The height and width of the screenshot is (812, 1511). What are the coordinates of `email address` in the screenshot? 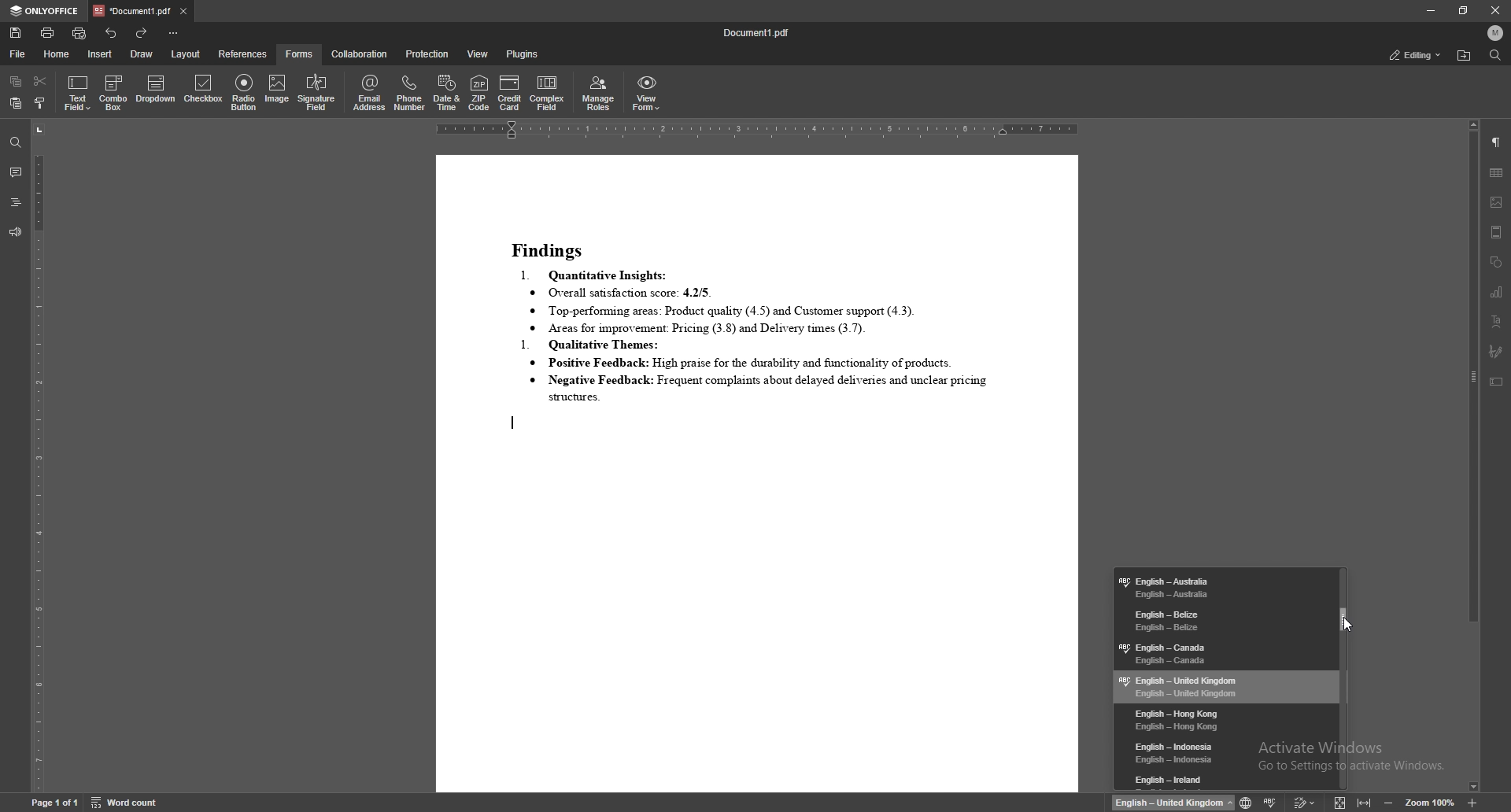 It's located at (370, 93).